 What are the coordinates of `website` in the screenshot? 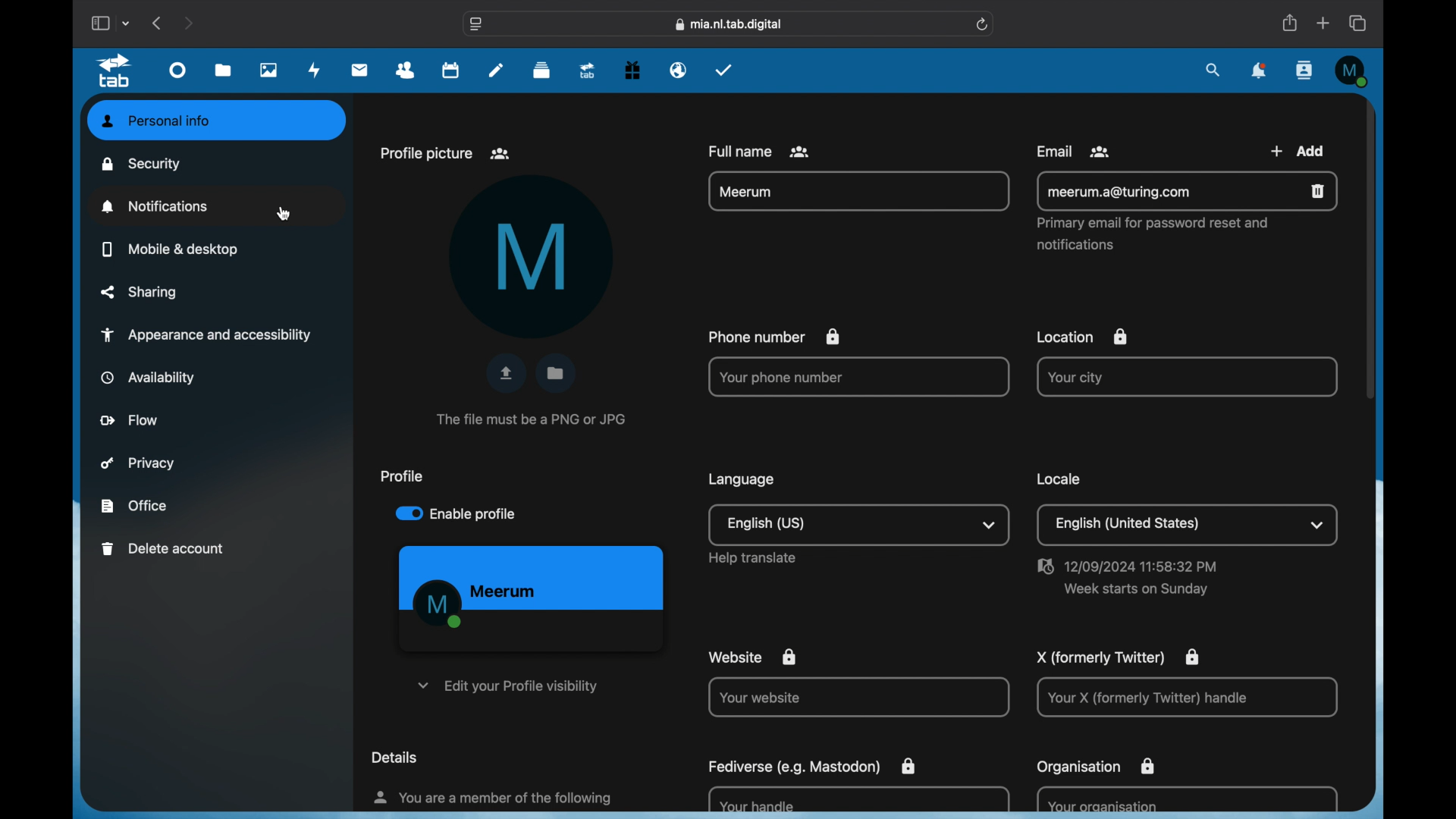 It's located at (755, 656).